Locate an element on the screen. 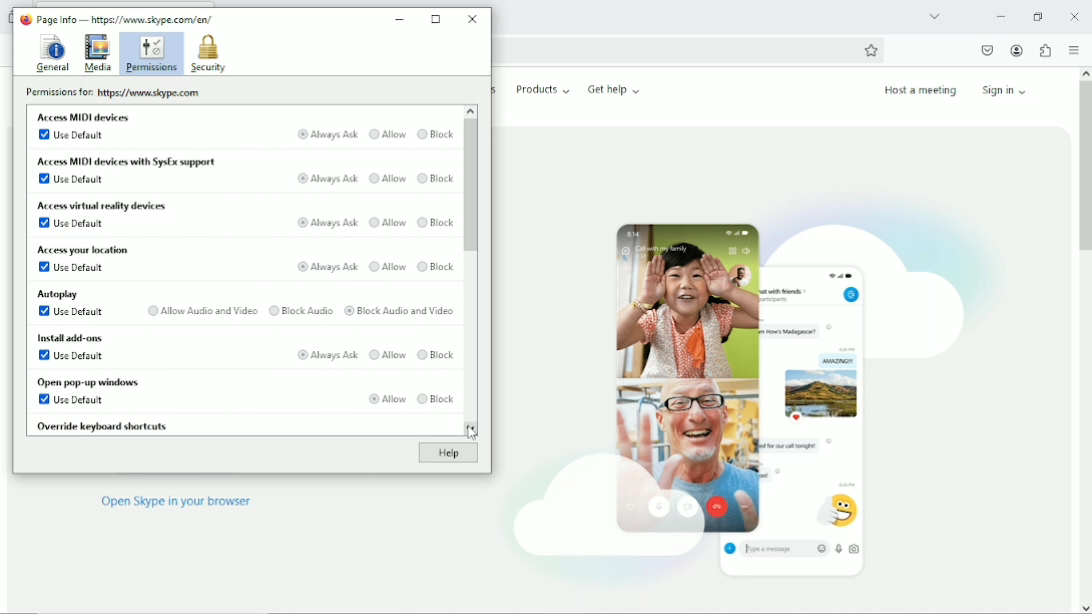 Image resolution: width=1092 pixels, height=614 pixels. Sign in is located at coordinates (1008, 89).